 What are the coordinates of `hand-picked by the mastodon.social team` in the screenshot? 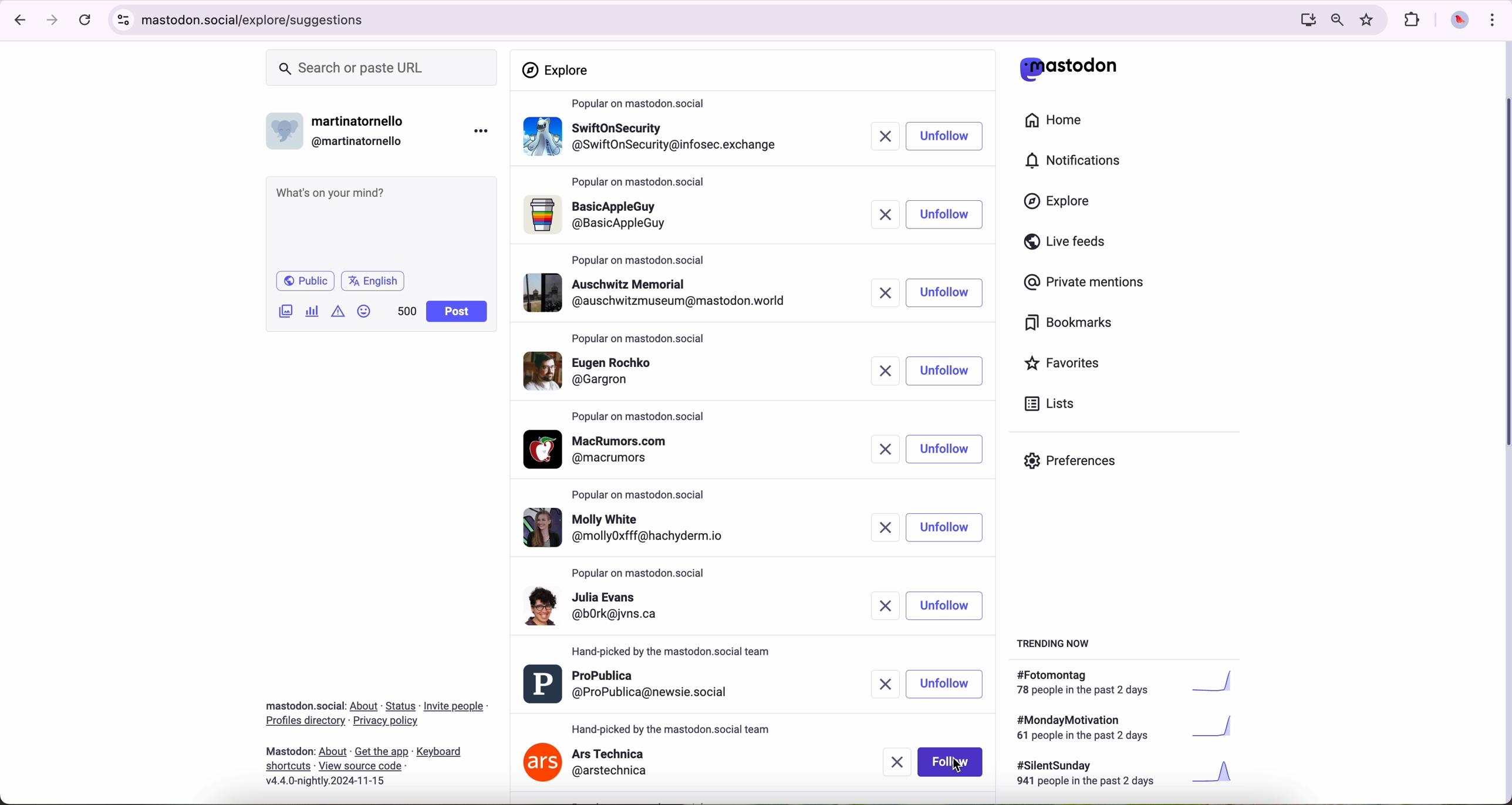 It's located at (672, 727).